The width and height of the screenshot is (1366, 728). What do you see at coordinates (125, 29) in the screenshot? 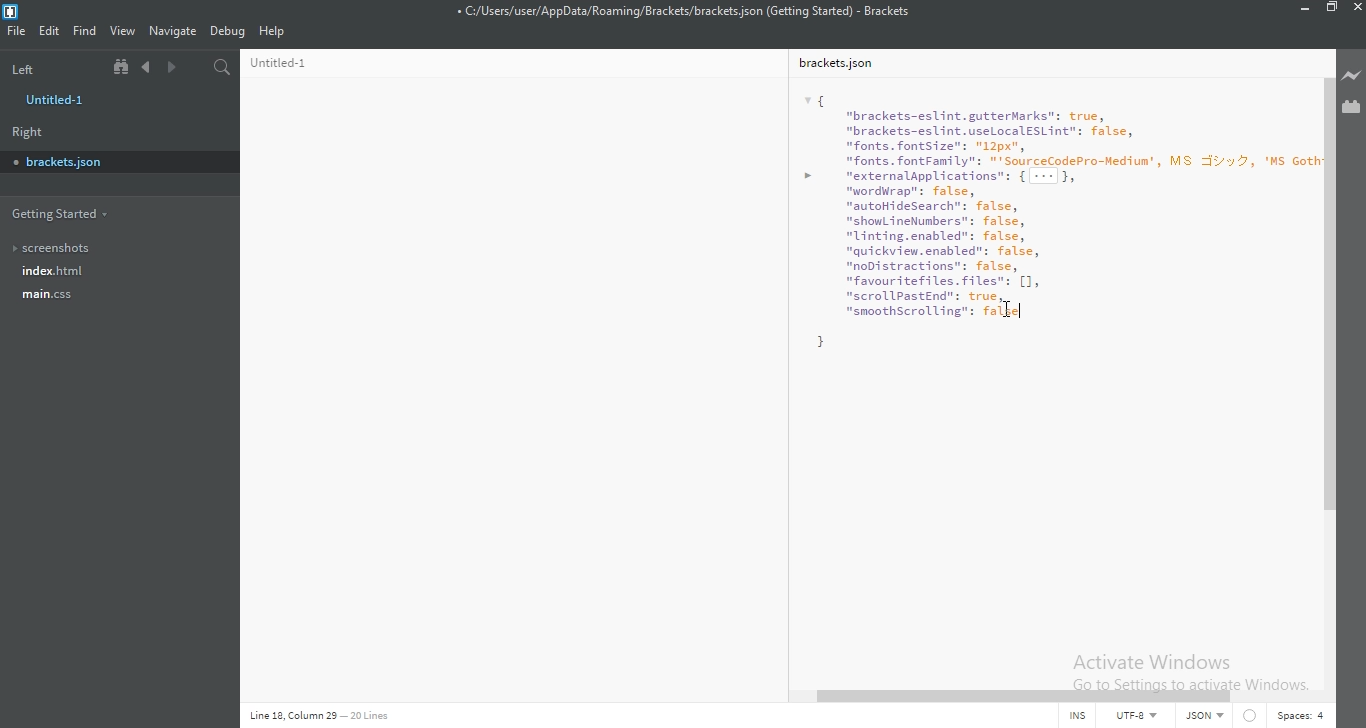
I see `View` at bounding box center [125, 29].